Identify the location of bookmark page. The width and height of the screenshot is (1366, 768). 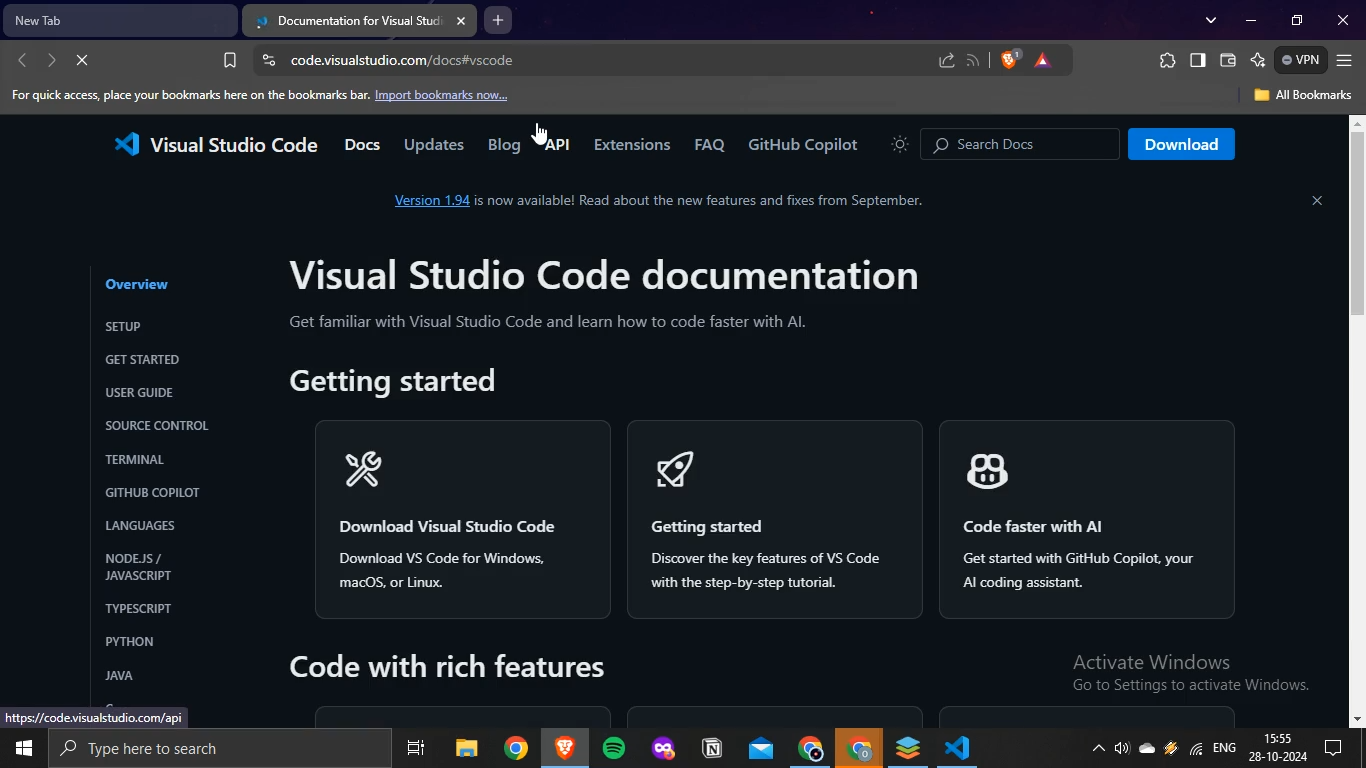
(231, 59).